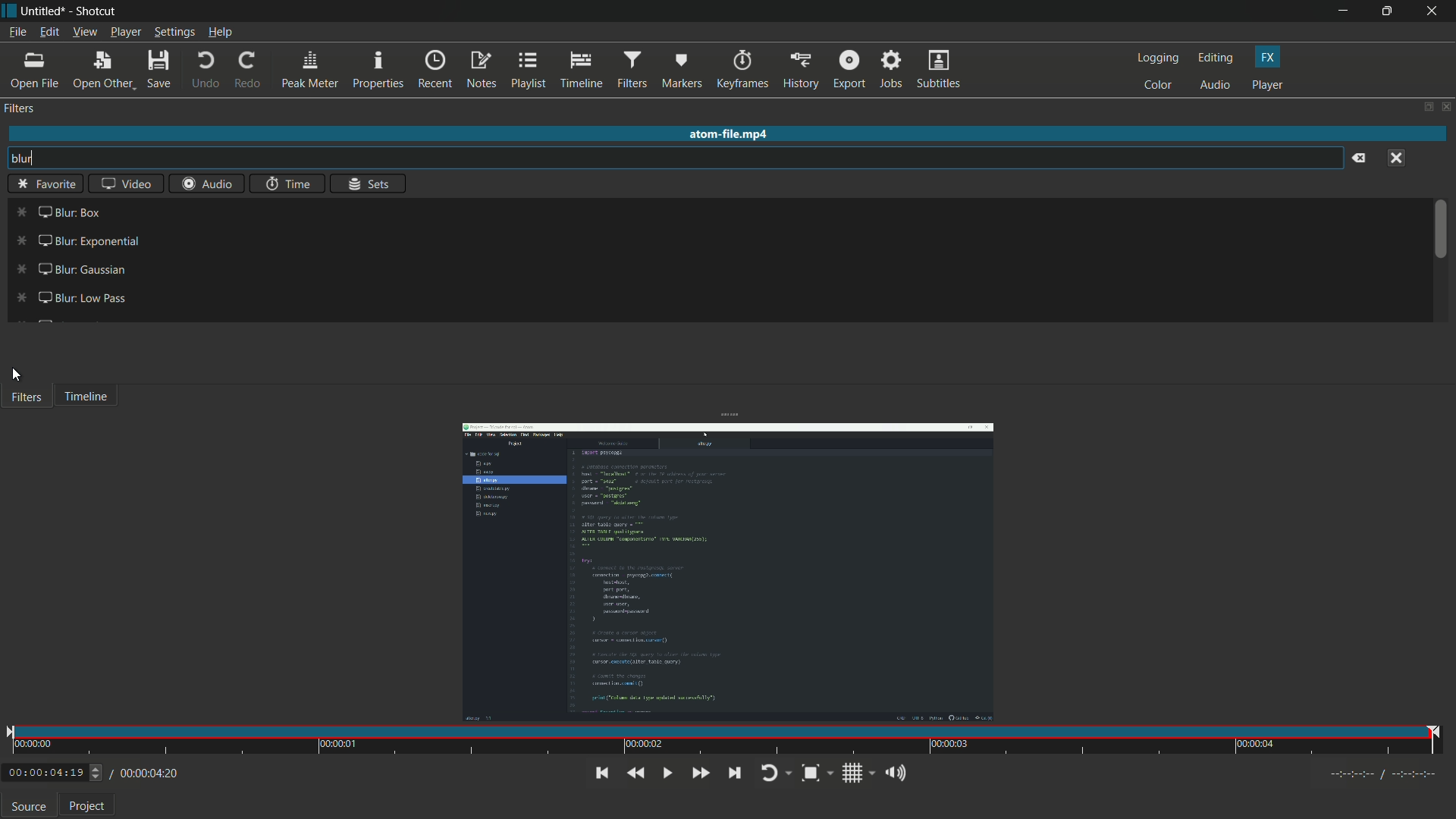  What do you see at coordinates (800, 71) in the screenshot?
I see `history` at bounding box center [800, 71].